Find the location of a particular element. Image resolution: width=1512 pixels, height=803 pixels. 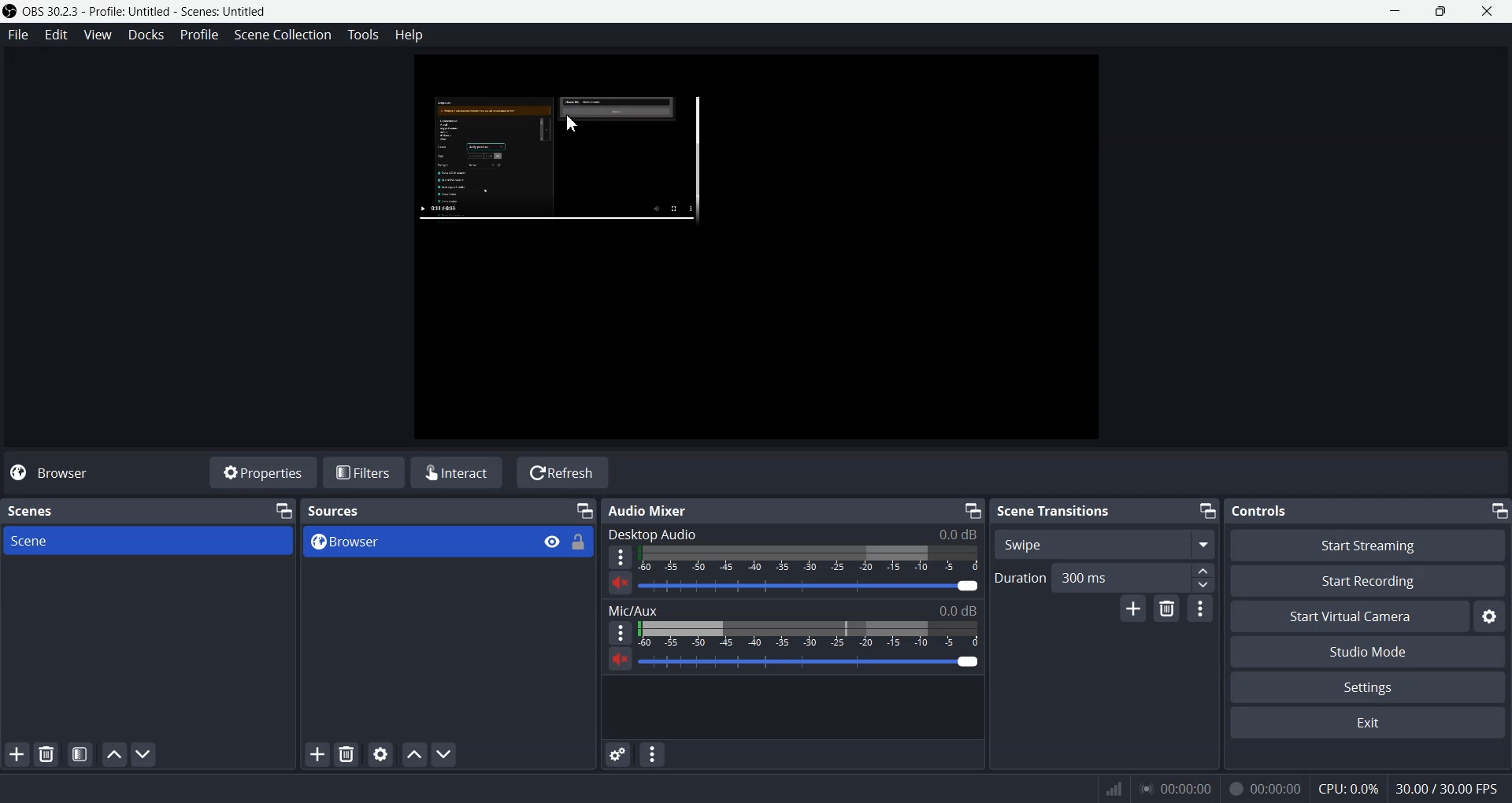

Audio mixer is located at coordinates (651, 511).